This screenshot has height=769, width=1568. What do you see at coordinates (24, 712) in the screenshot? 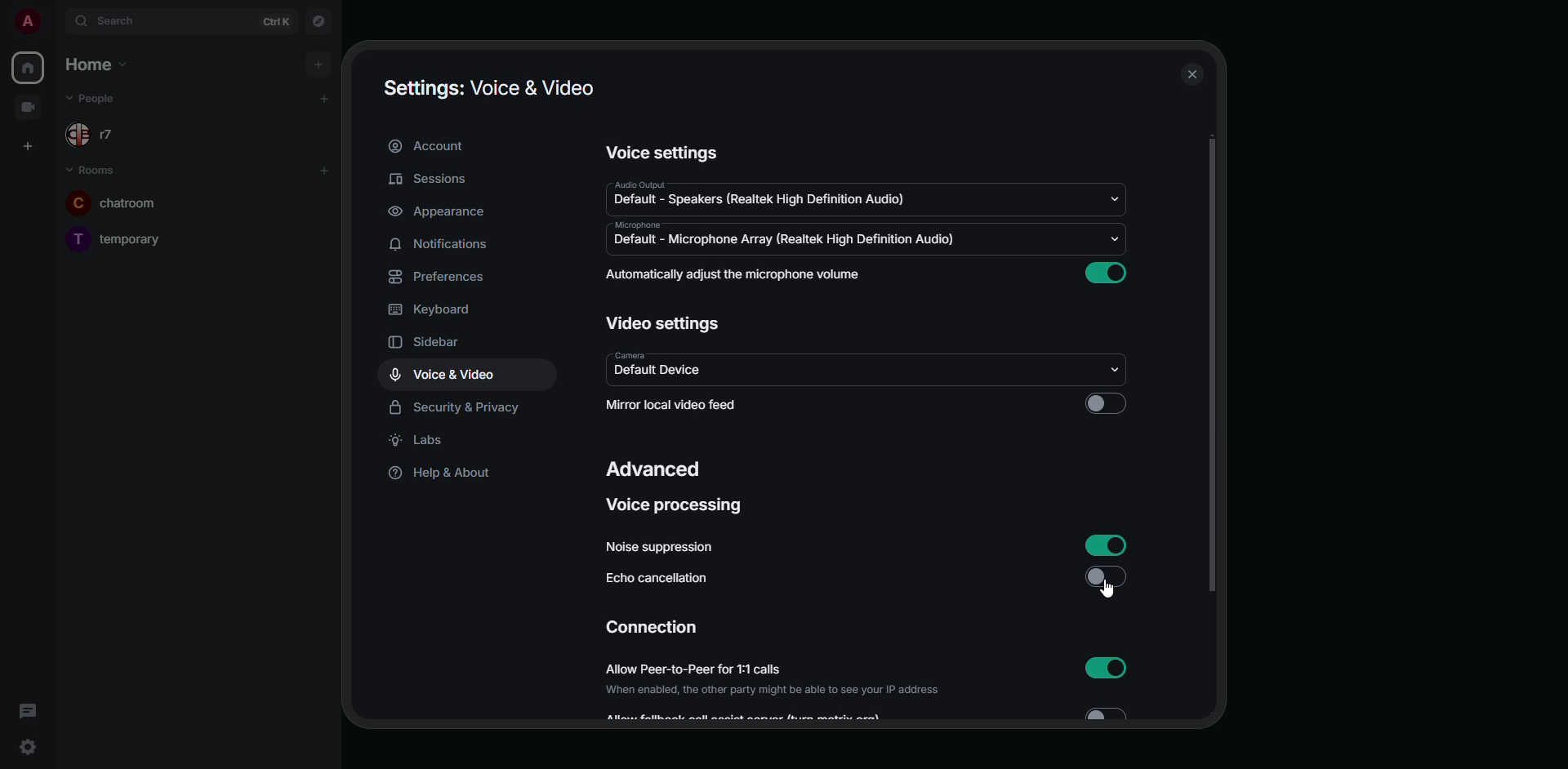
I see `threads` at bounding box center [24, 712].